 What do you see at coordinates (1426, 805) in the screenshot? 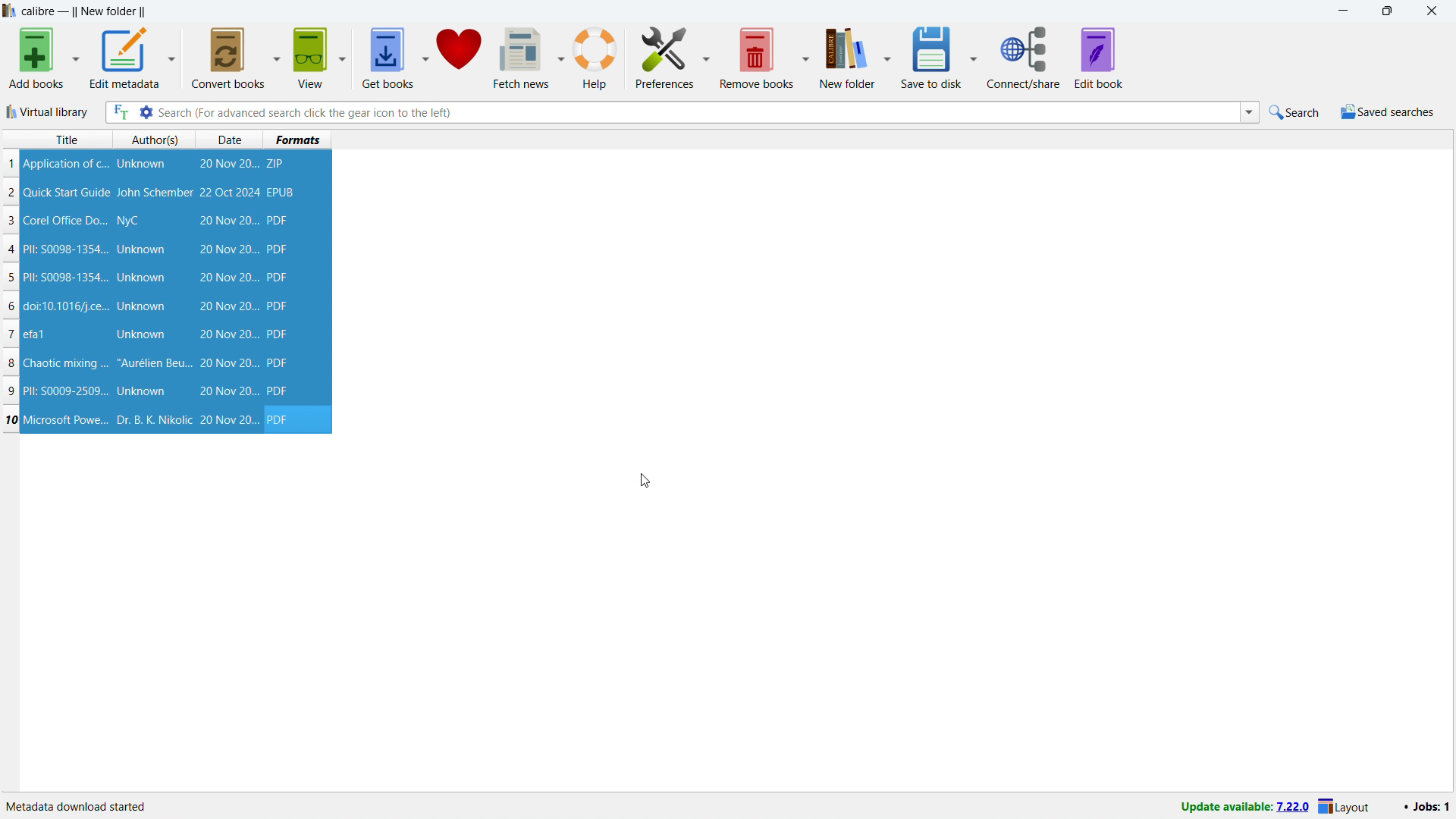
I see `active download` at bounding box center [1426, 805].